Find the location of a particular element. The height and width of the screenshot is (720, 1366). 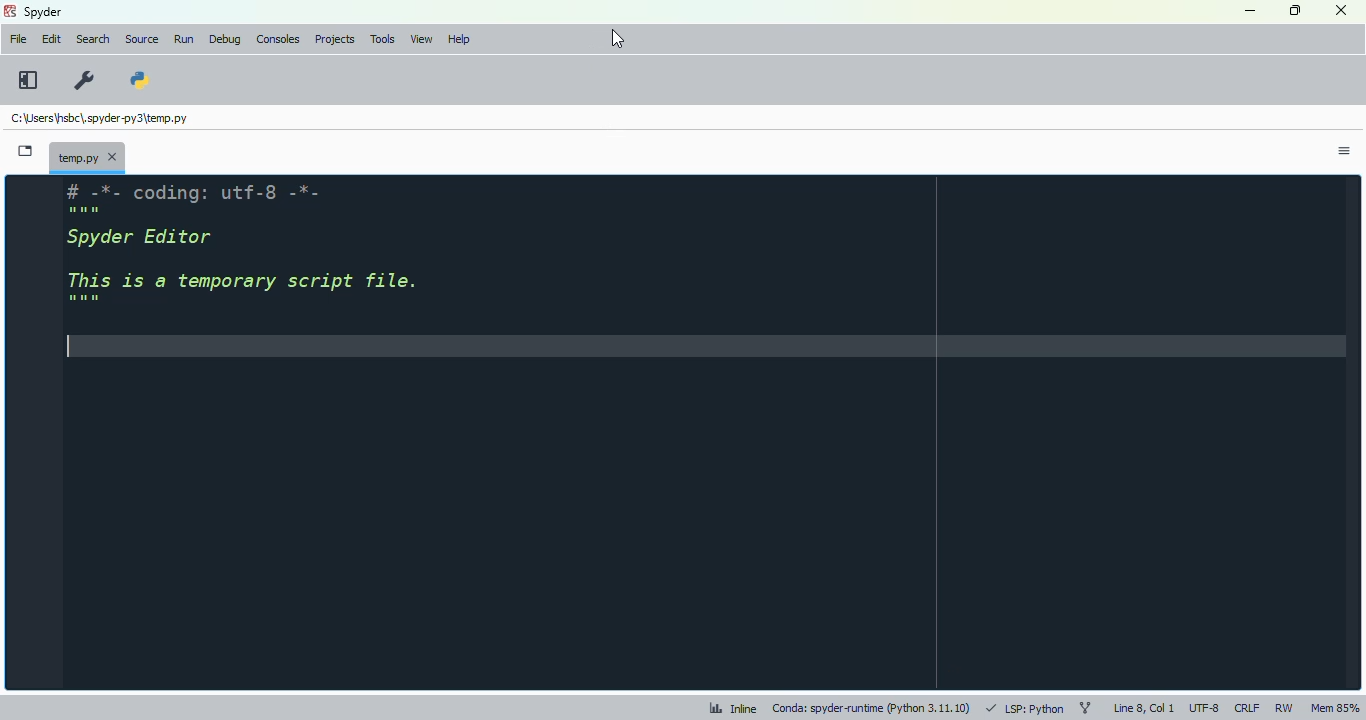

editor is located at coordinates (698, 431).